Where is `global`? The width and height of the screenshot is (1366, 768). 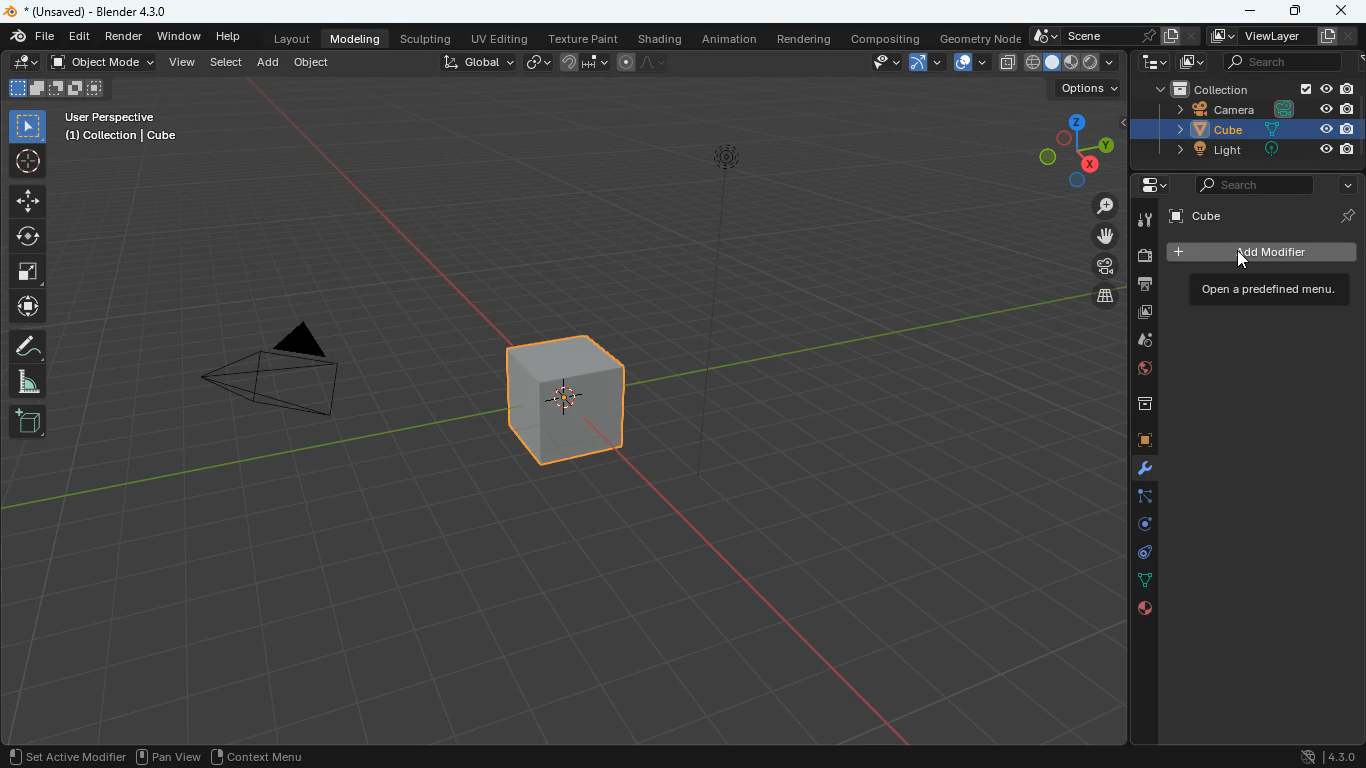
global is located at coordinates (477, 64).